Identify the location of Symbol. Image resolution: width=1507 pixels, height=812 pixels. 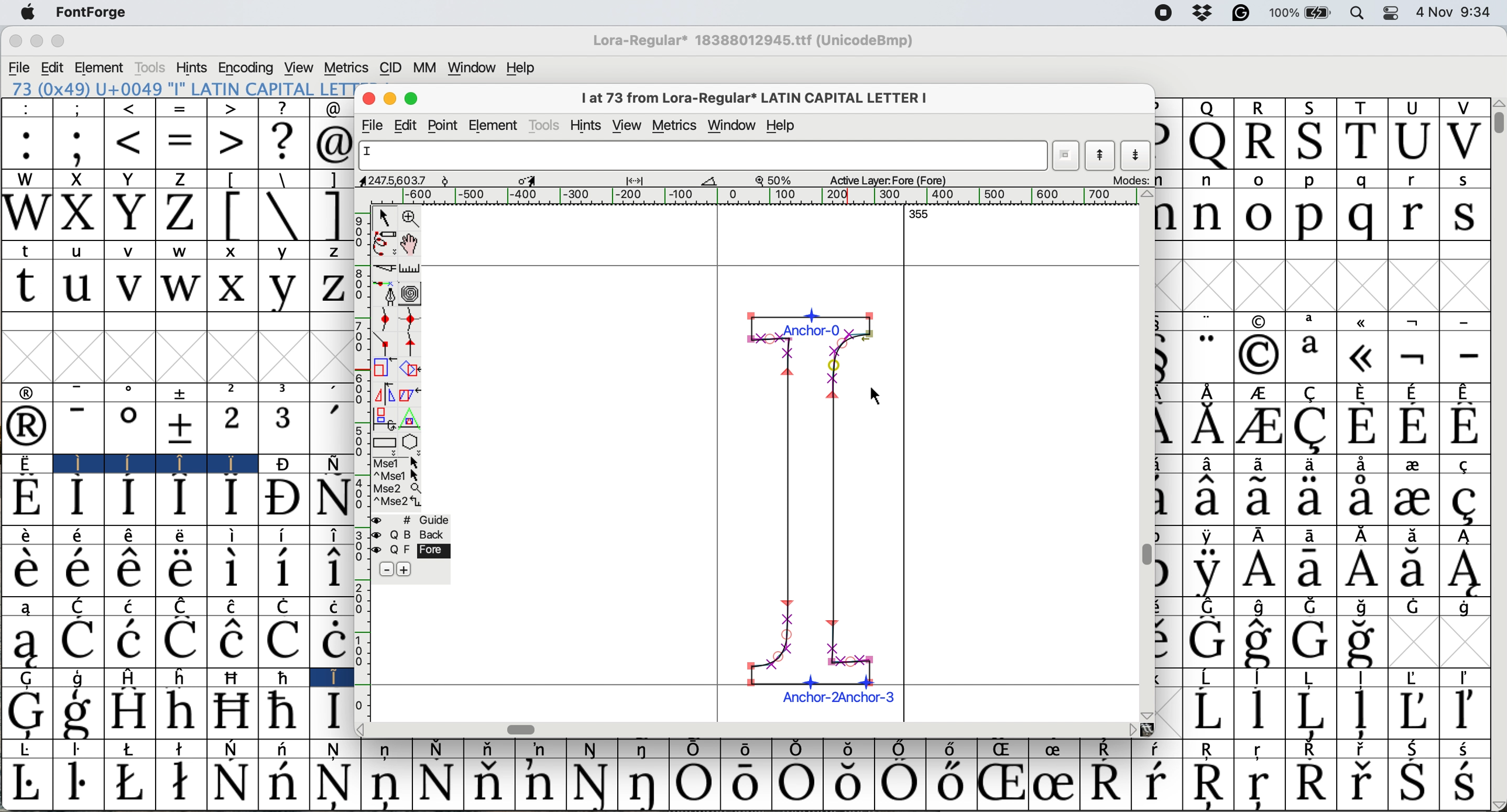
(26, 534).